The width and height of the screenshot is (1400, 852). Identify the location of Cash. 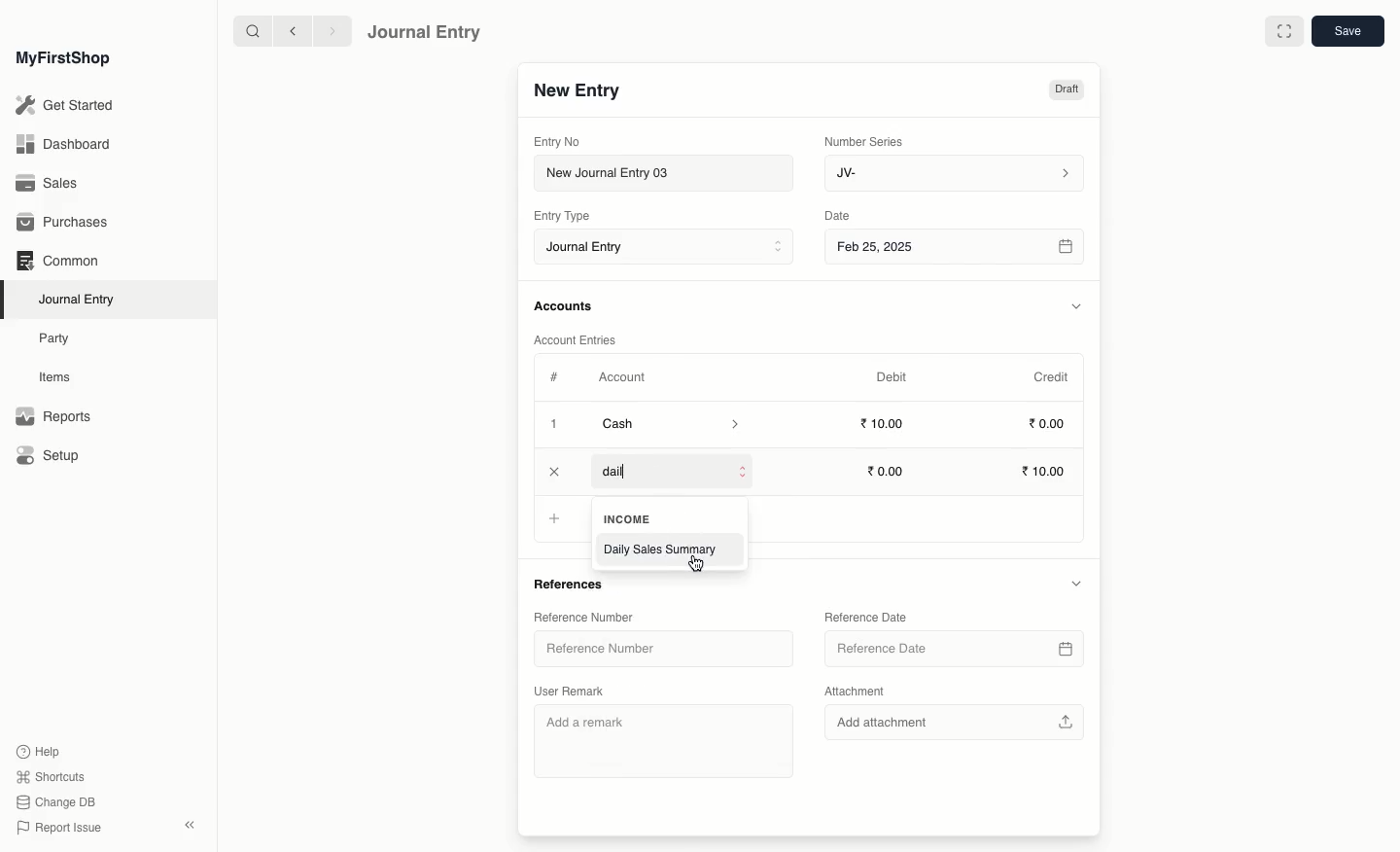
(670, 424).